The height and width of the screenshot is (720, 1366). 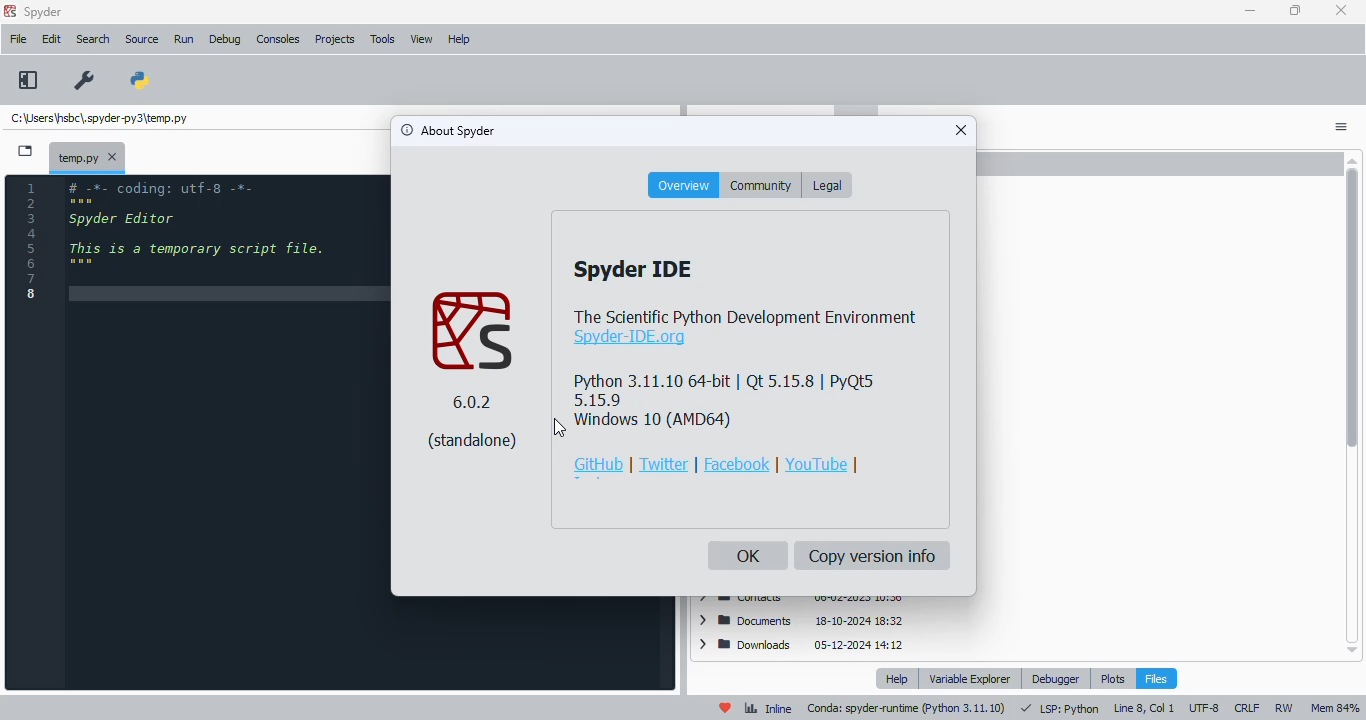 I want to click on options, so click(x=1343, y=127).